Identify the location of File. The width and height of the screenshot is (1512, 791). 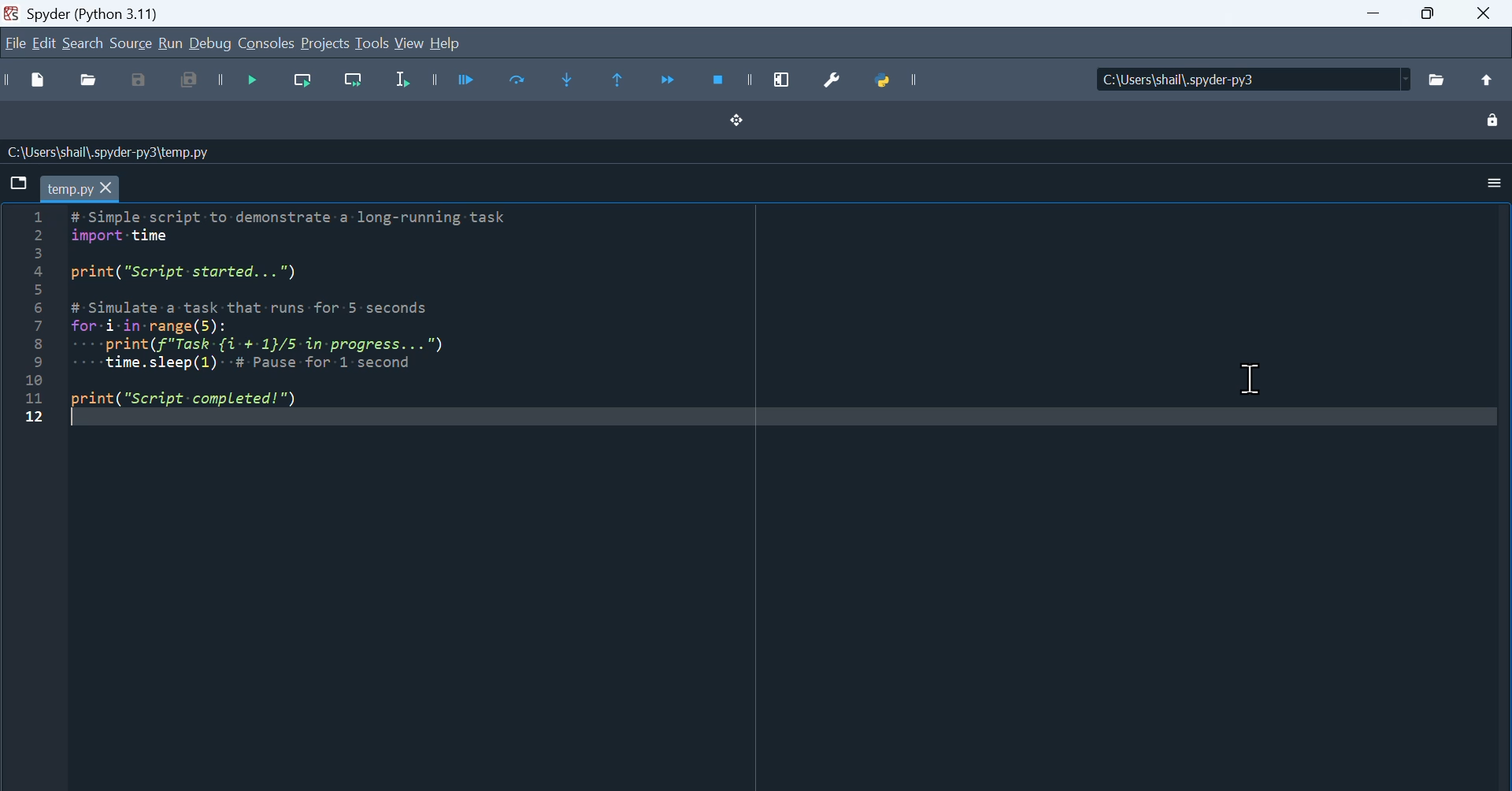
(15, 42).